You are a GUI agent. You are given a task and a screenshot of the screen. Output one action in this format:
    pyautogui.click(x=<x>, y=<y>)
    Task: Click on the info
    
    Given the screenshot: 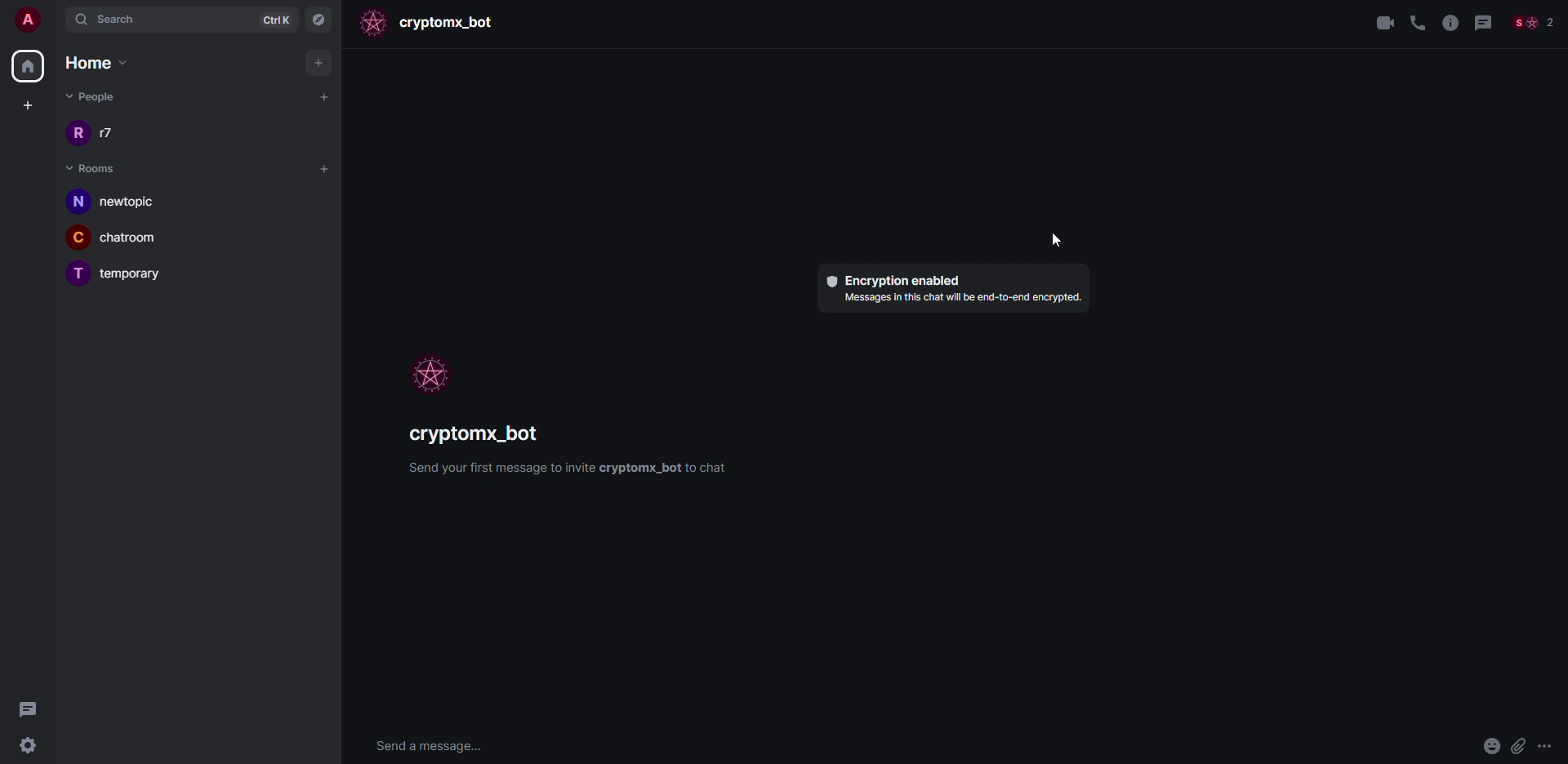 What is the action you would take?
    pyautogui.click(x=569, y=469)
    